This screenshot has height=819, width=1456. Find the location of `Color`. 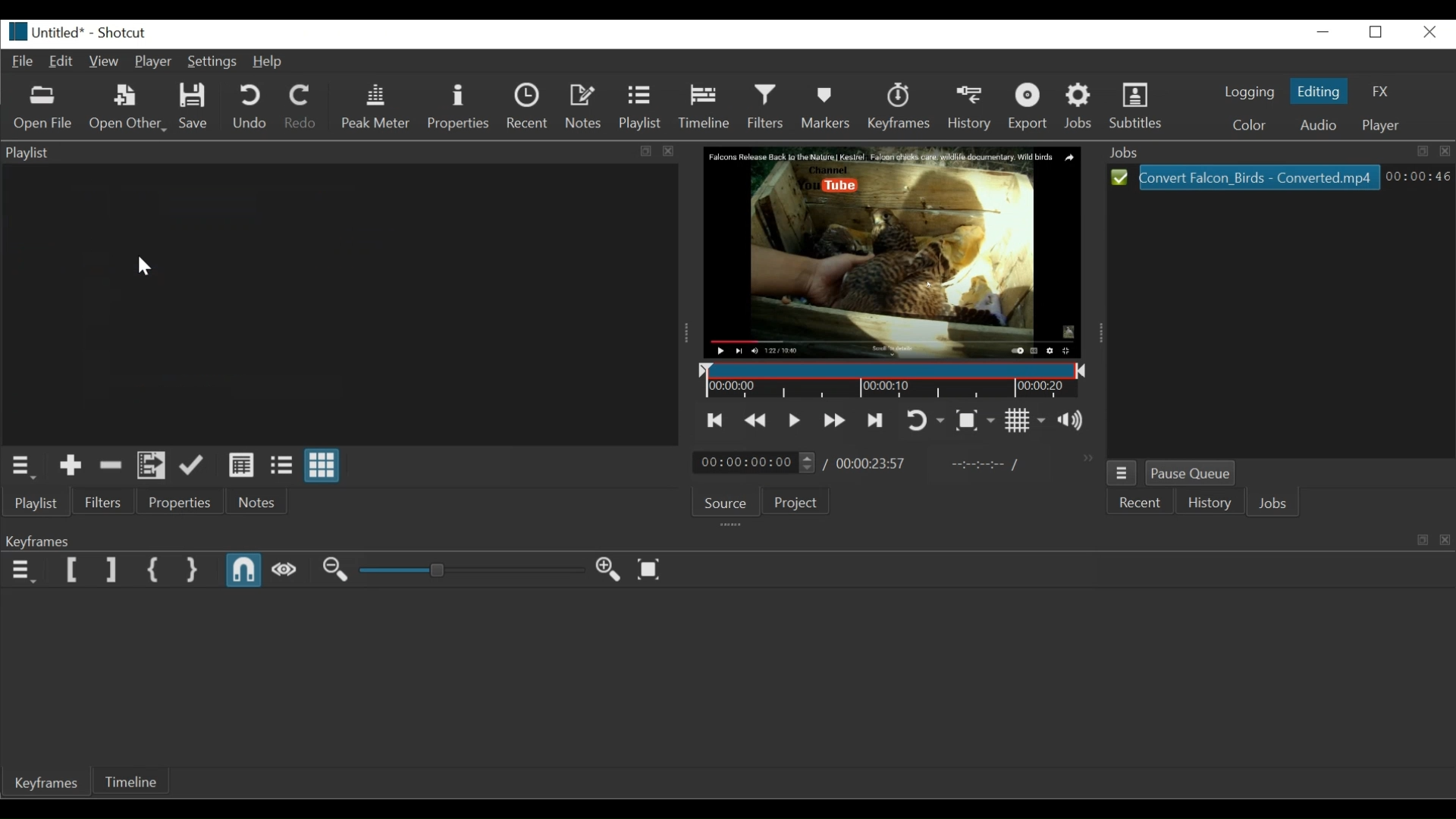

Color is located at coordinates (1244, 126).